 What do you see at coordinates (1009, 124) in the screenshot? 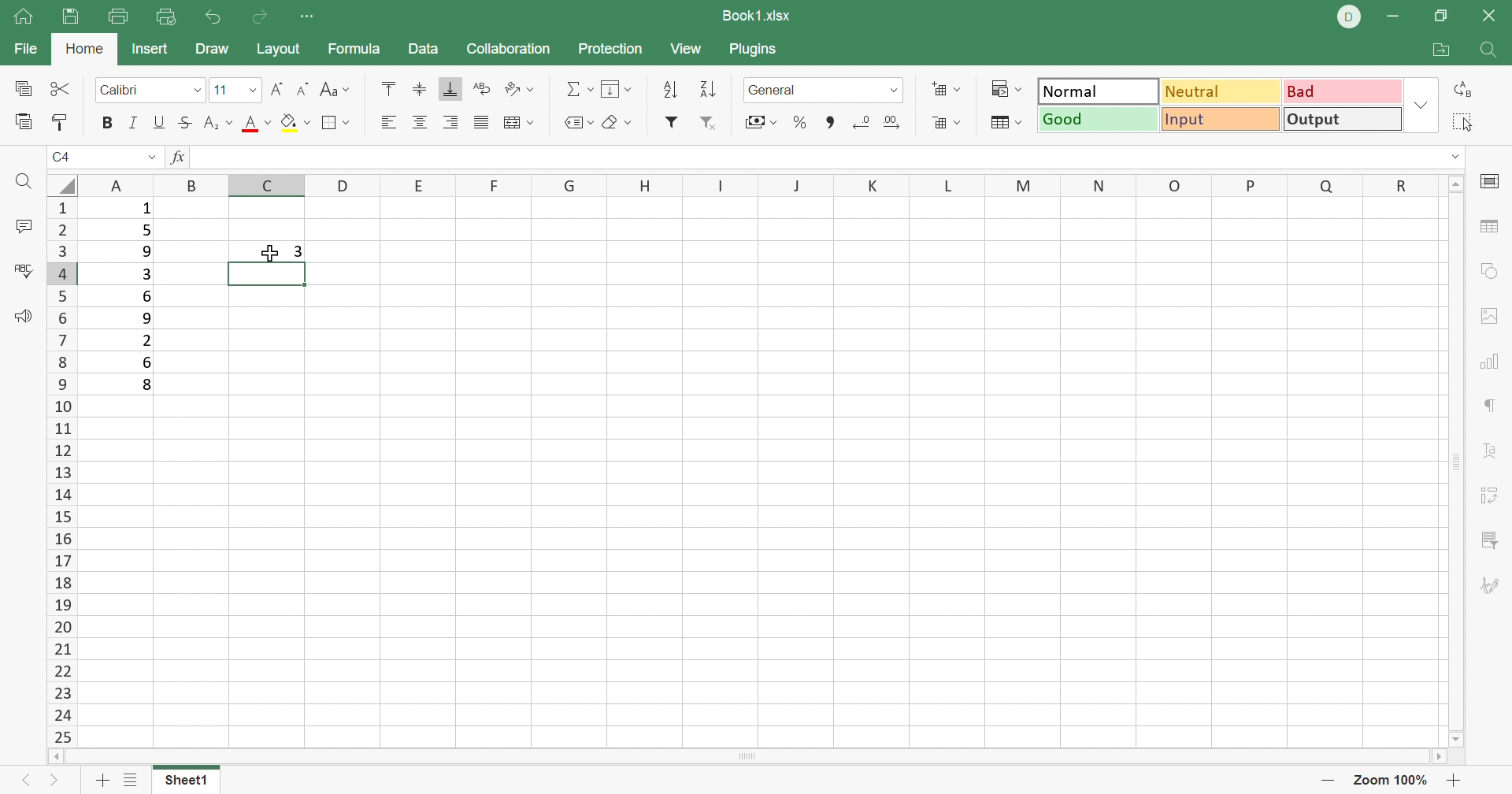
I see `Format as table template` at bounding box center [1009, 124].